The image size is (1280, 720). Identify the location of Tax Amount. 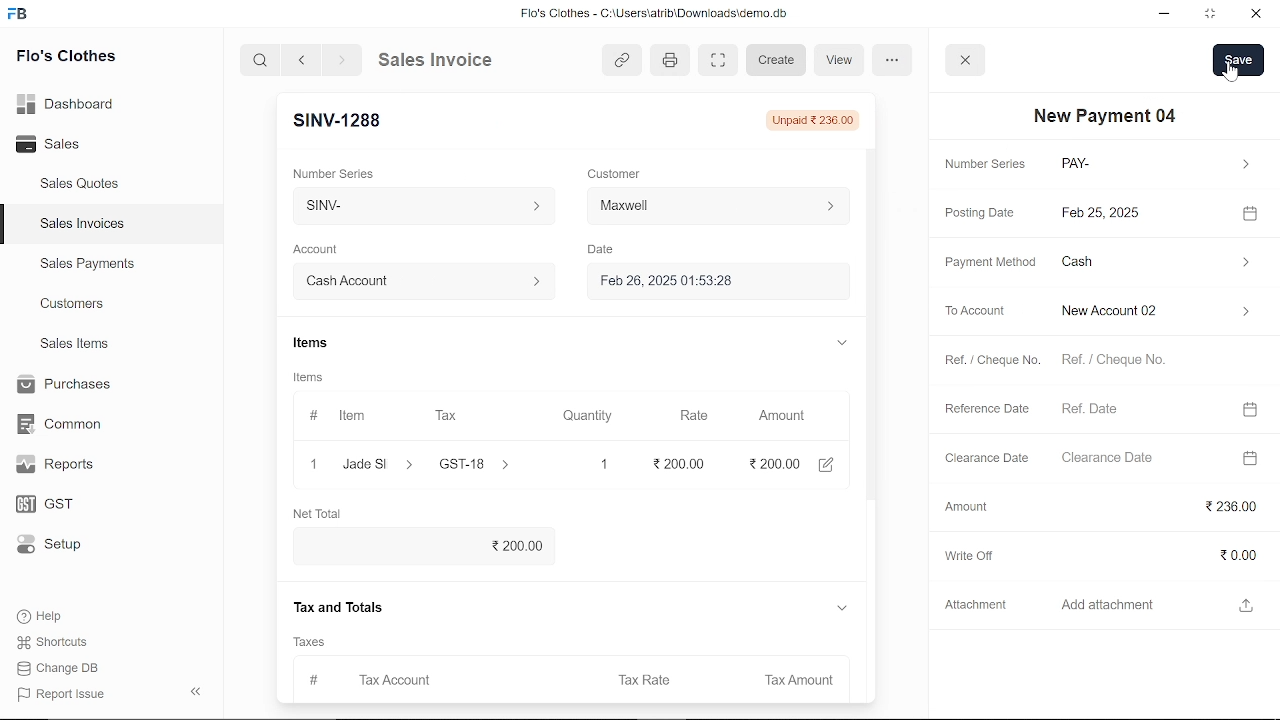
(796, 677).